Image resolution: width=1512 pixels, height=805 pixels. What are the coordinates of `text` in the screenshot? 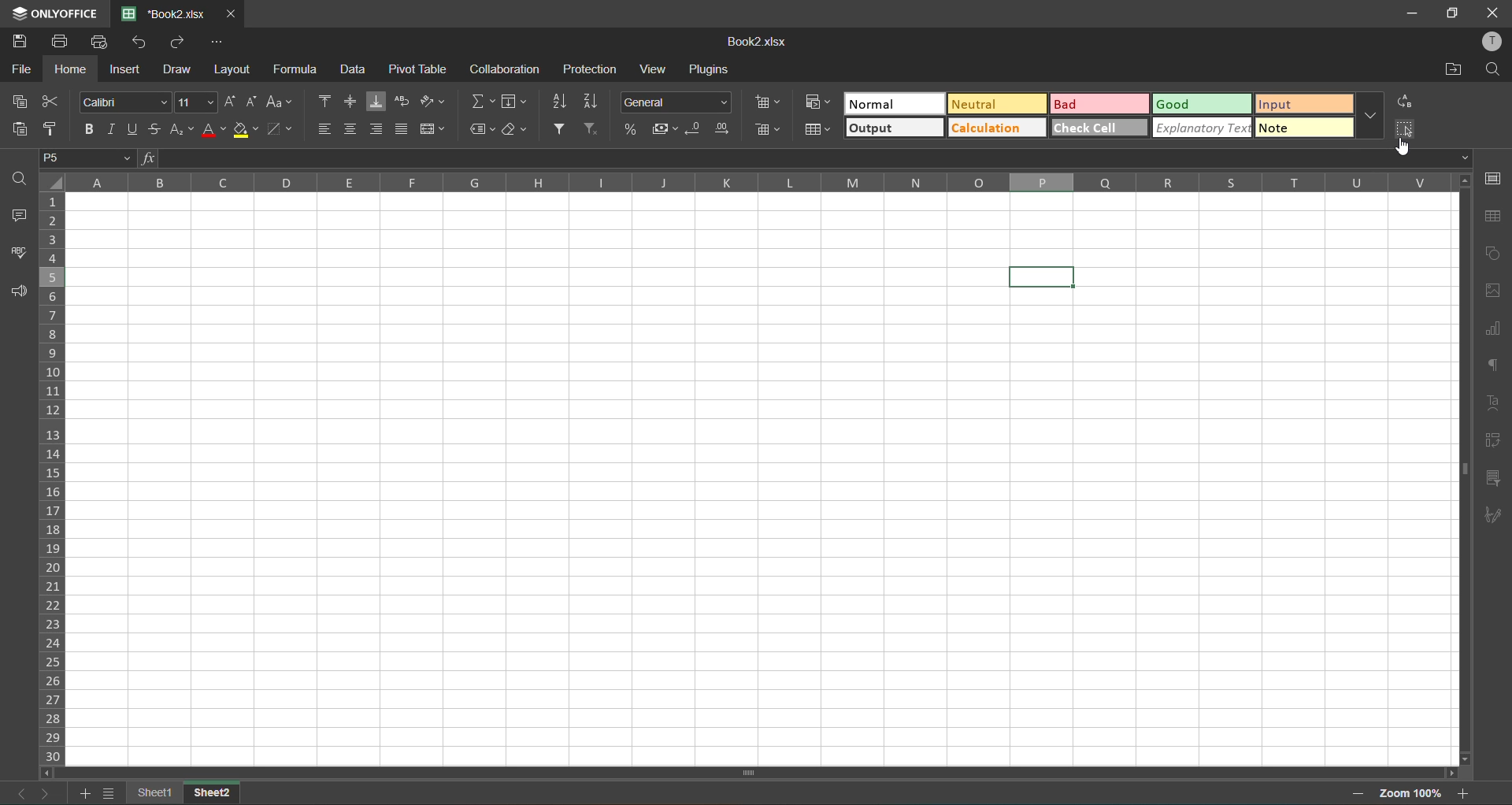 It's located at (1494, 405).